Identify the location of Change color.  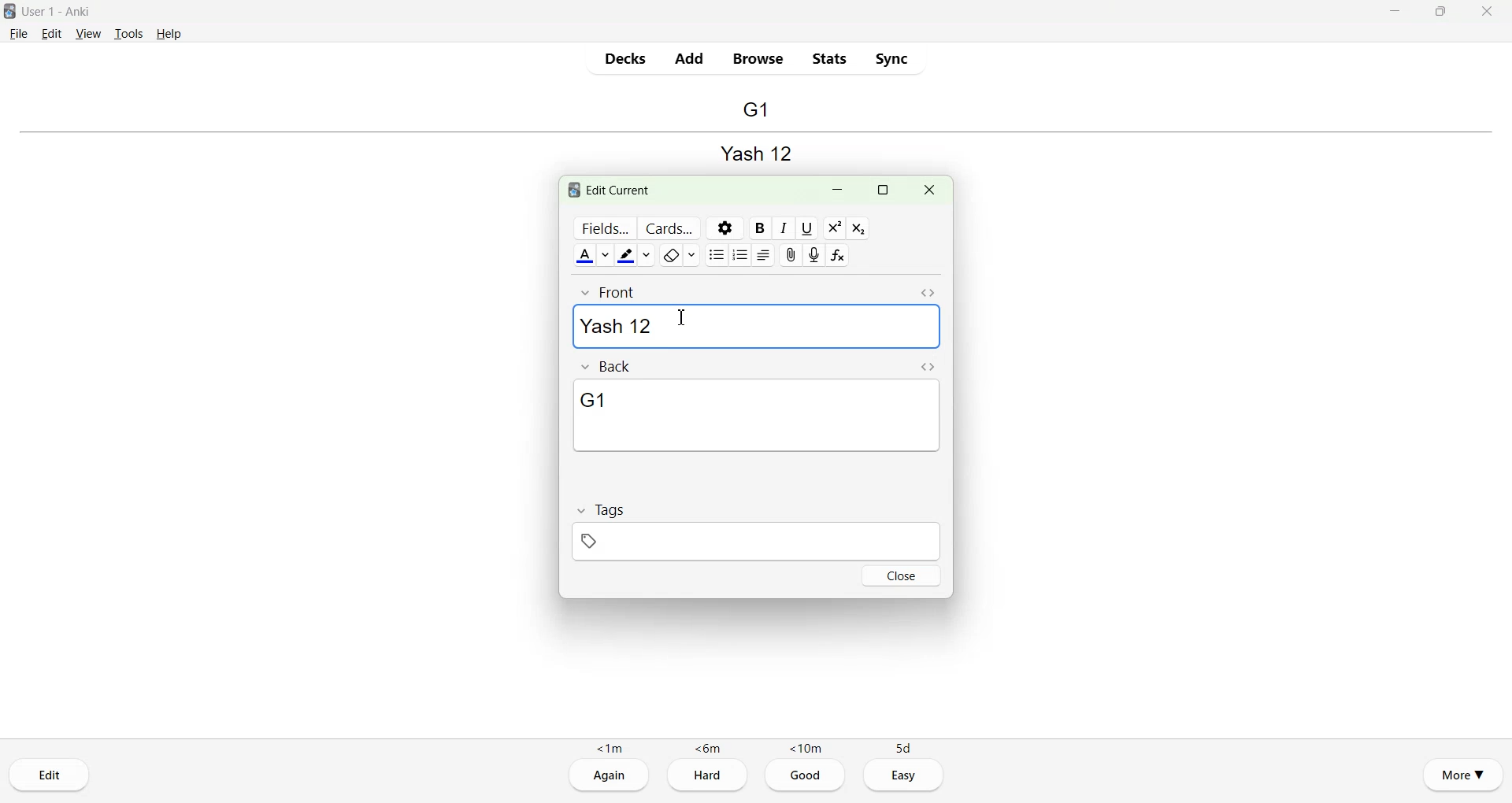
(649, 255).